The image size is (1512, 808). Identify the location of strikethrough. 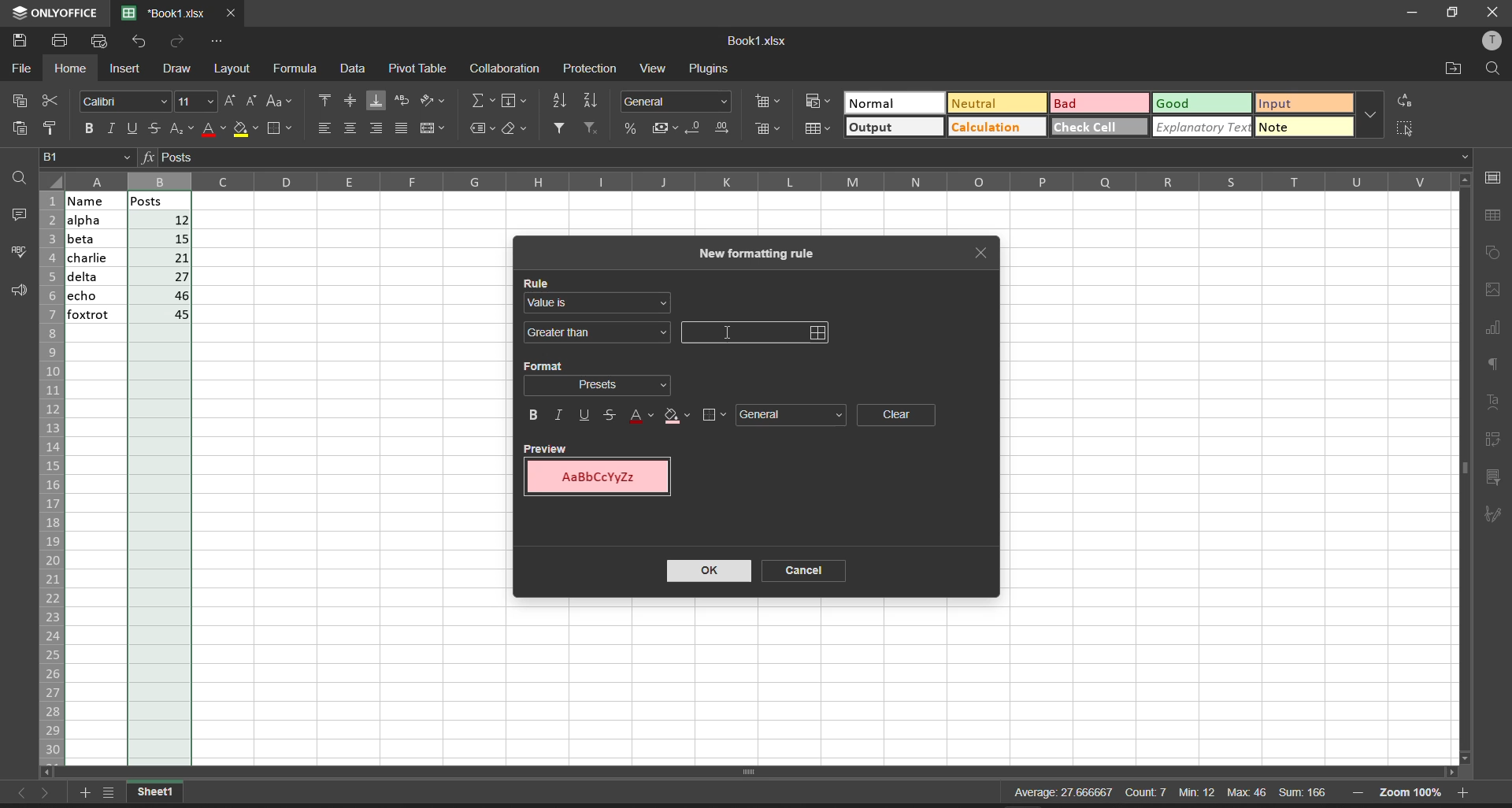
(611, 416).